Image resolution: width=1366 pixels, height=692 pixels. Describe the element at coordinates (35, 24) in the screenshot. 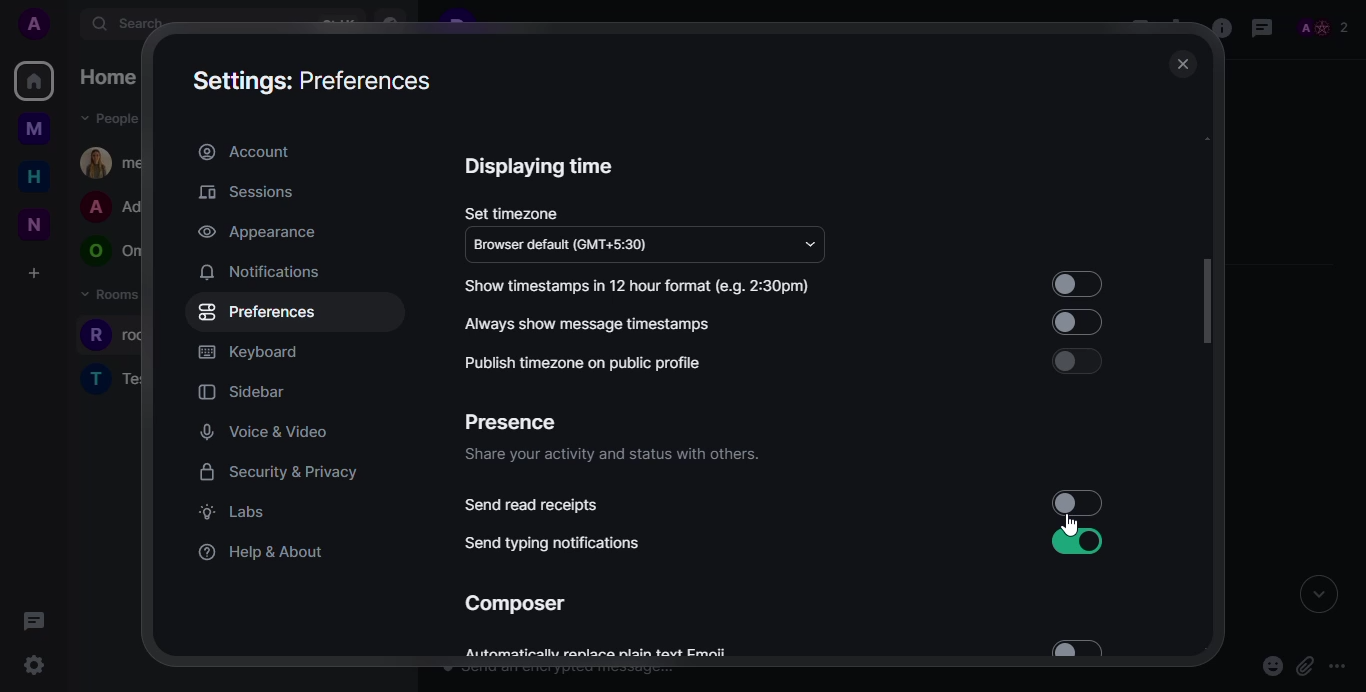

I see `profile` at that location.